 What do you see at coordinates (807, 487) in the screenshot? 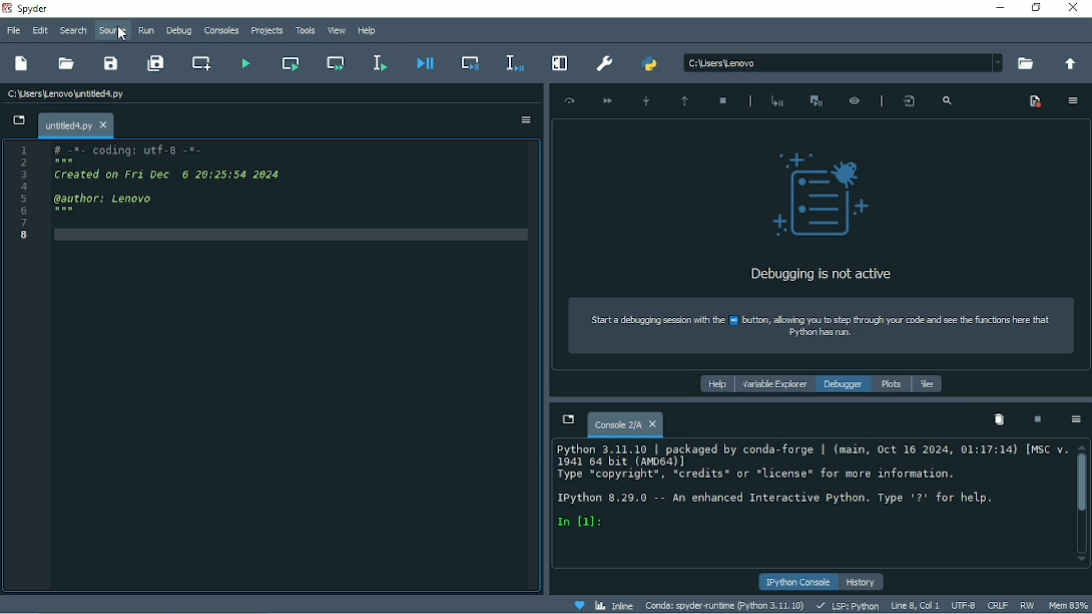
I see `ipython console pane Text` at bounding box center [807, 487].